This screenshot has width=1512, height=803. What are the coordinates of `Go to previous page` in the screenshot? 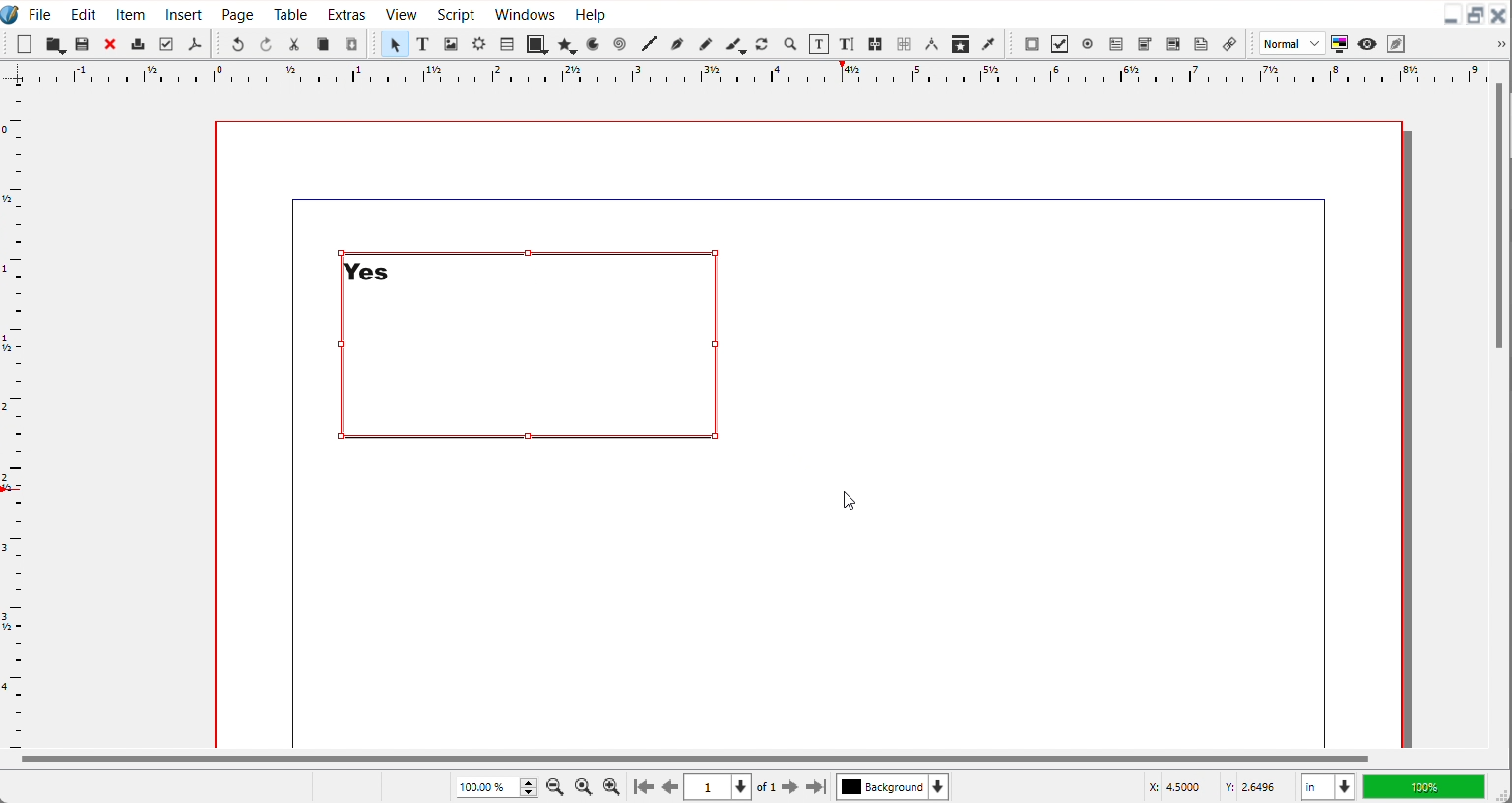 It's located at (670, 787).